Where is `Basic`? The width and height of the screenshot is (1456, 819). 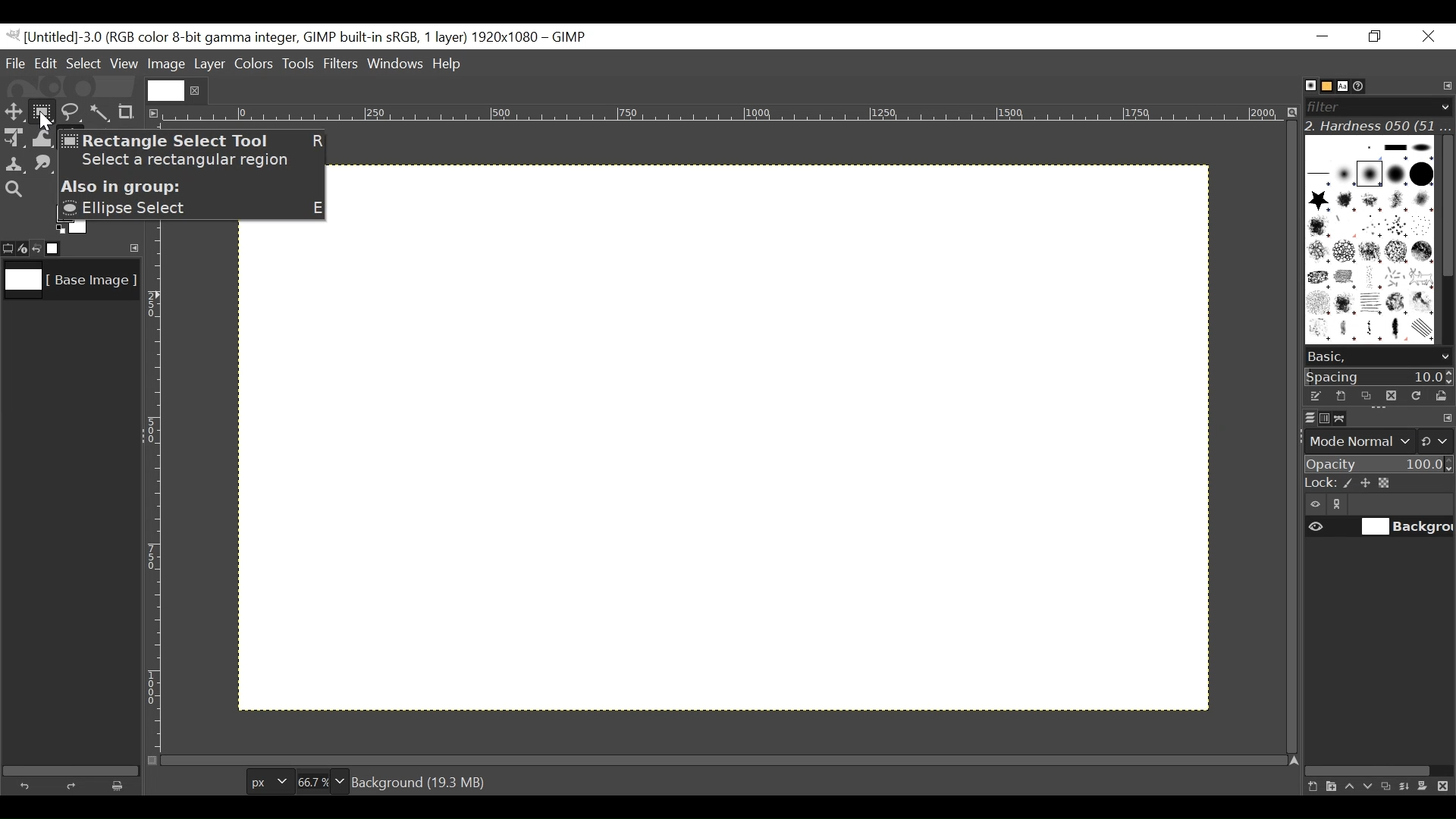
Basic is located at coordinates (1323, 86).